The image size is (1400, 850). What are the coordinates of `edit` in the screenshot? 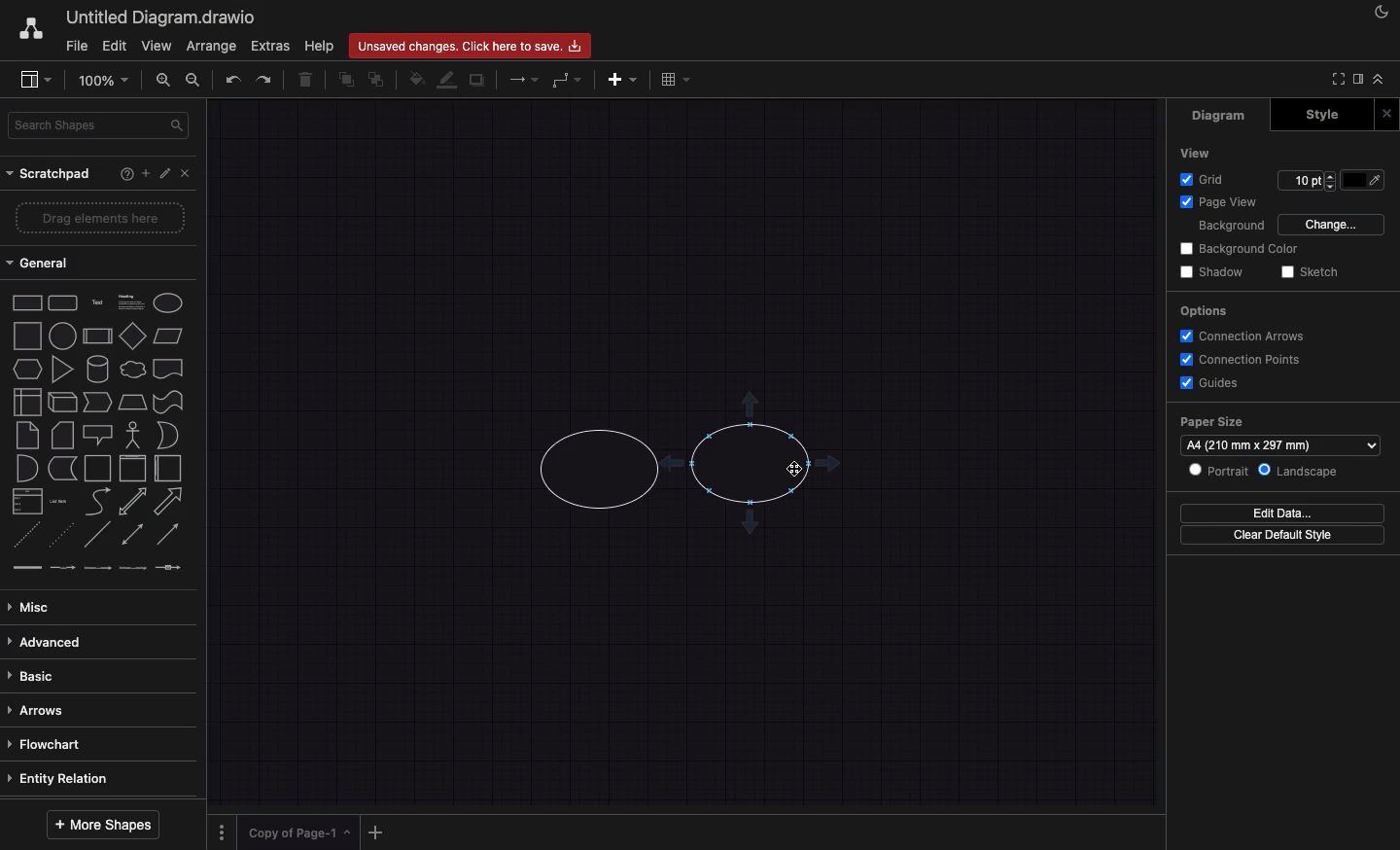 It's located at (164, 173).